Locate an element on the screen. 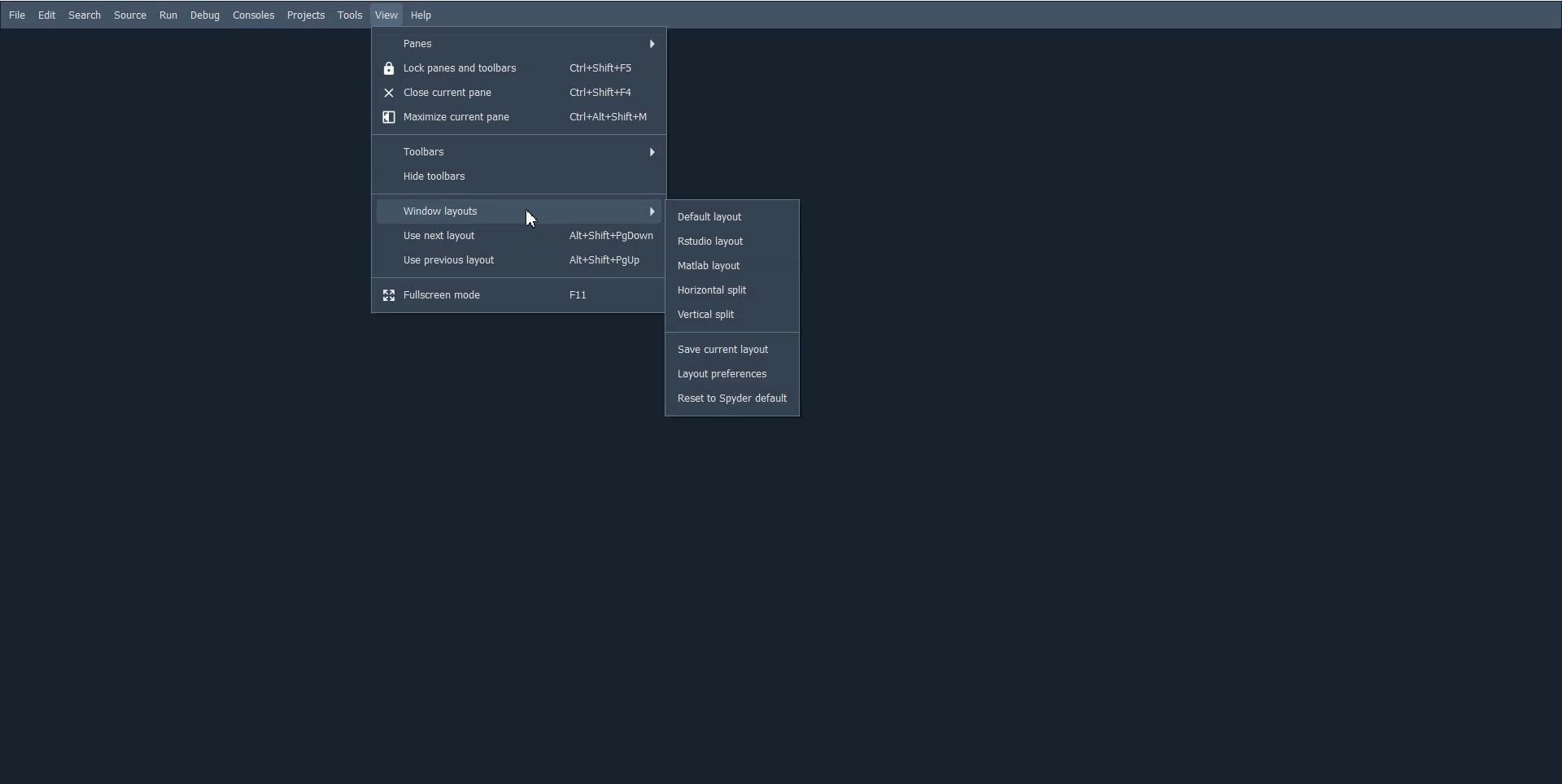  Consoles is located at coordinates (254, 15).